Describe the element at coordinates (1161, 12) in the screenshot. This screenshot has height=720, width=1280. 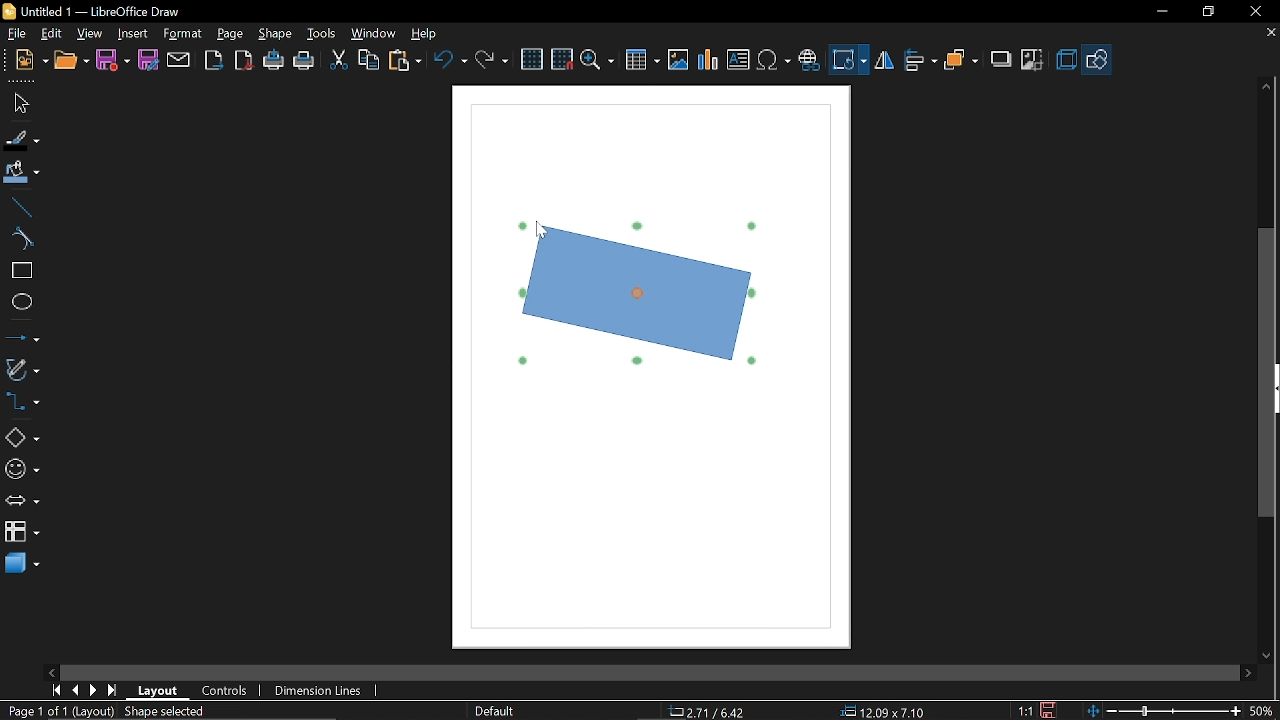
I see `minimize` at that location.